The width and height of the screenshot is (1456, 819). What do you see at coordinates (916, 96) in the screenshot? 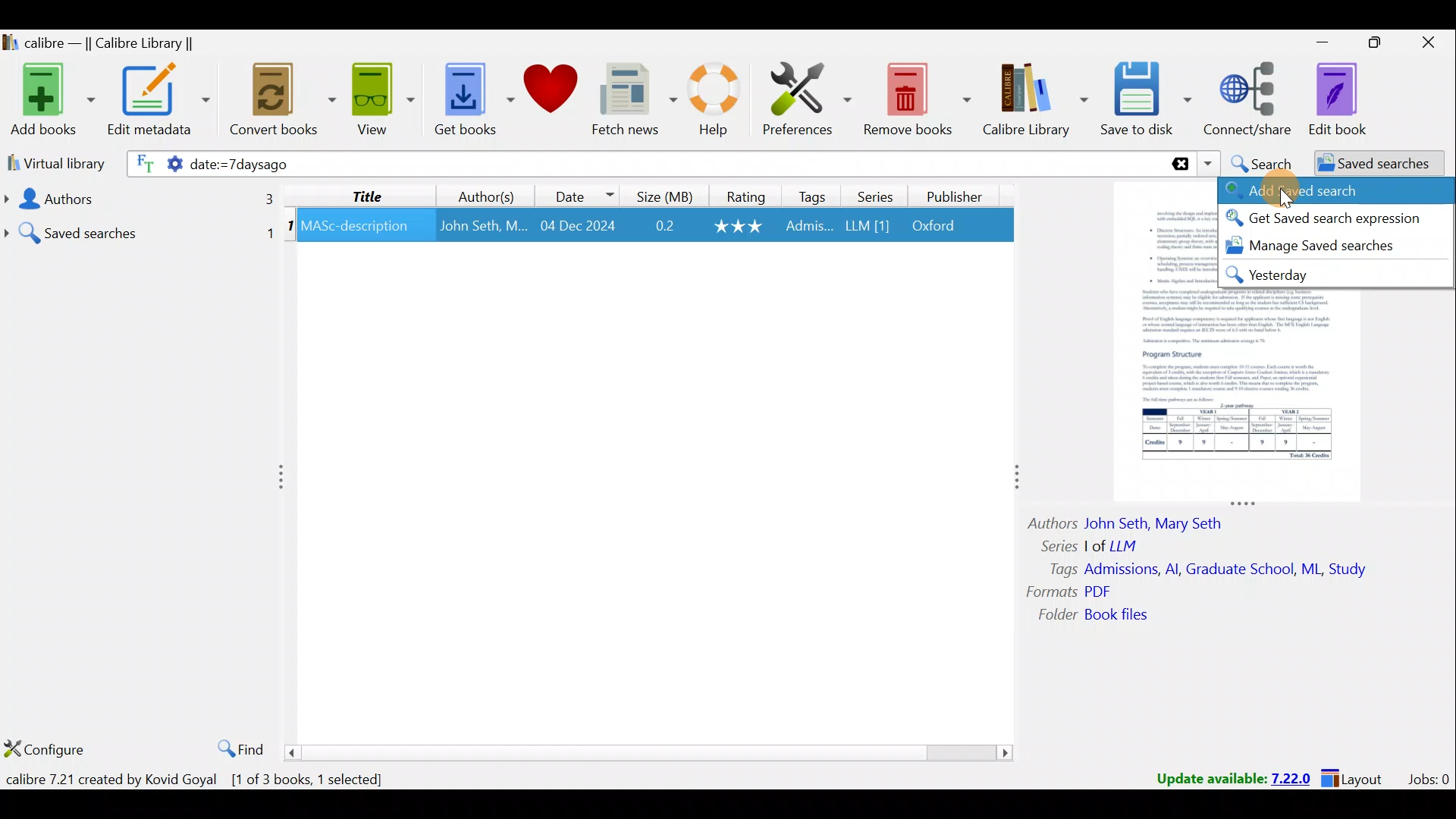
I see `Remove books` at bounding box center [916, 96].